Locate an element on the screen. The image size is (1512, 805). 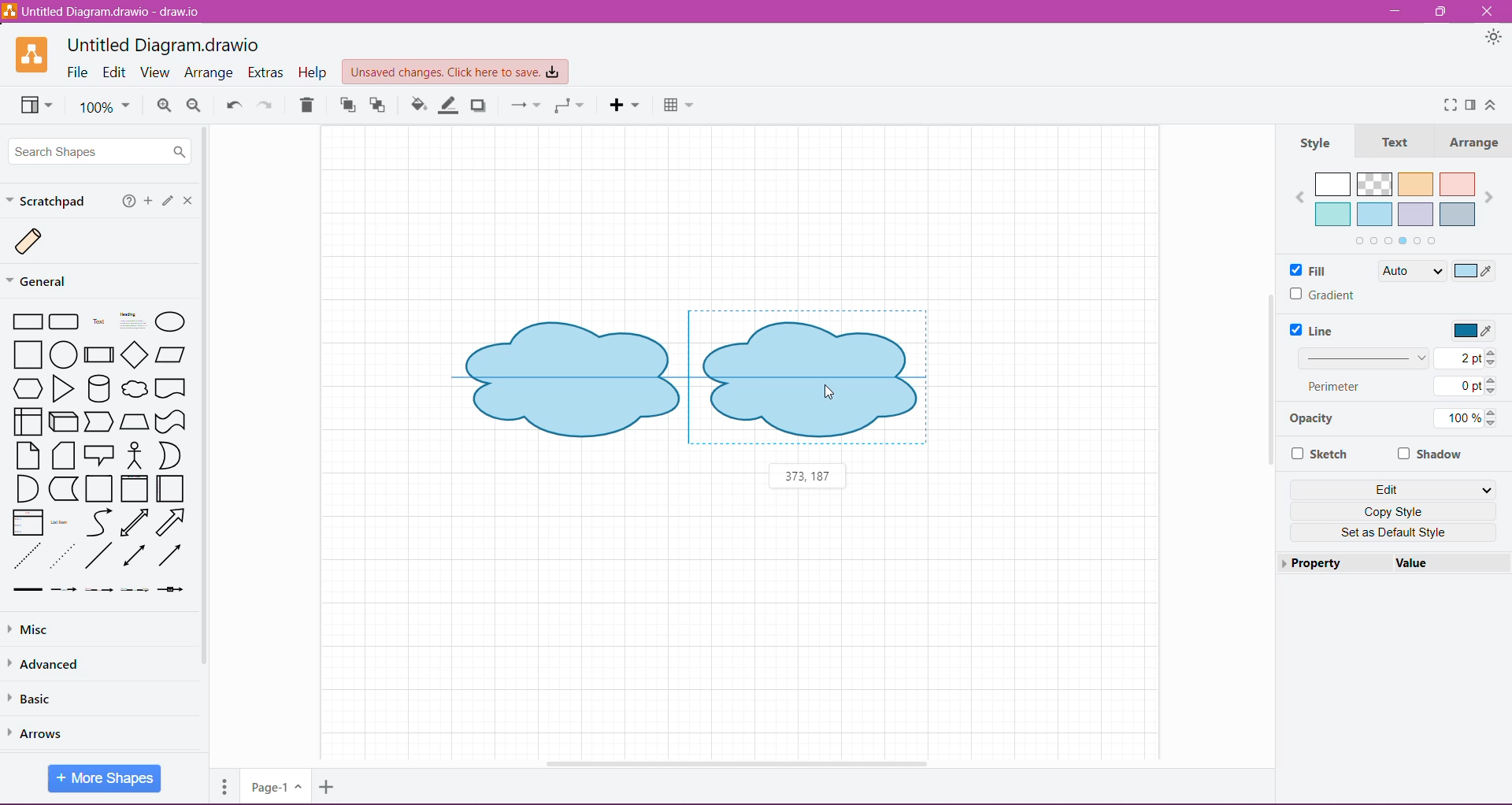
Arrows is located at coordinates (40, 734).